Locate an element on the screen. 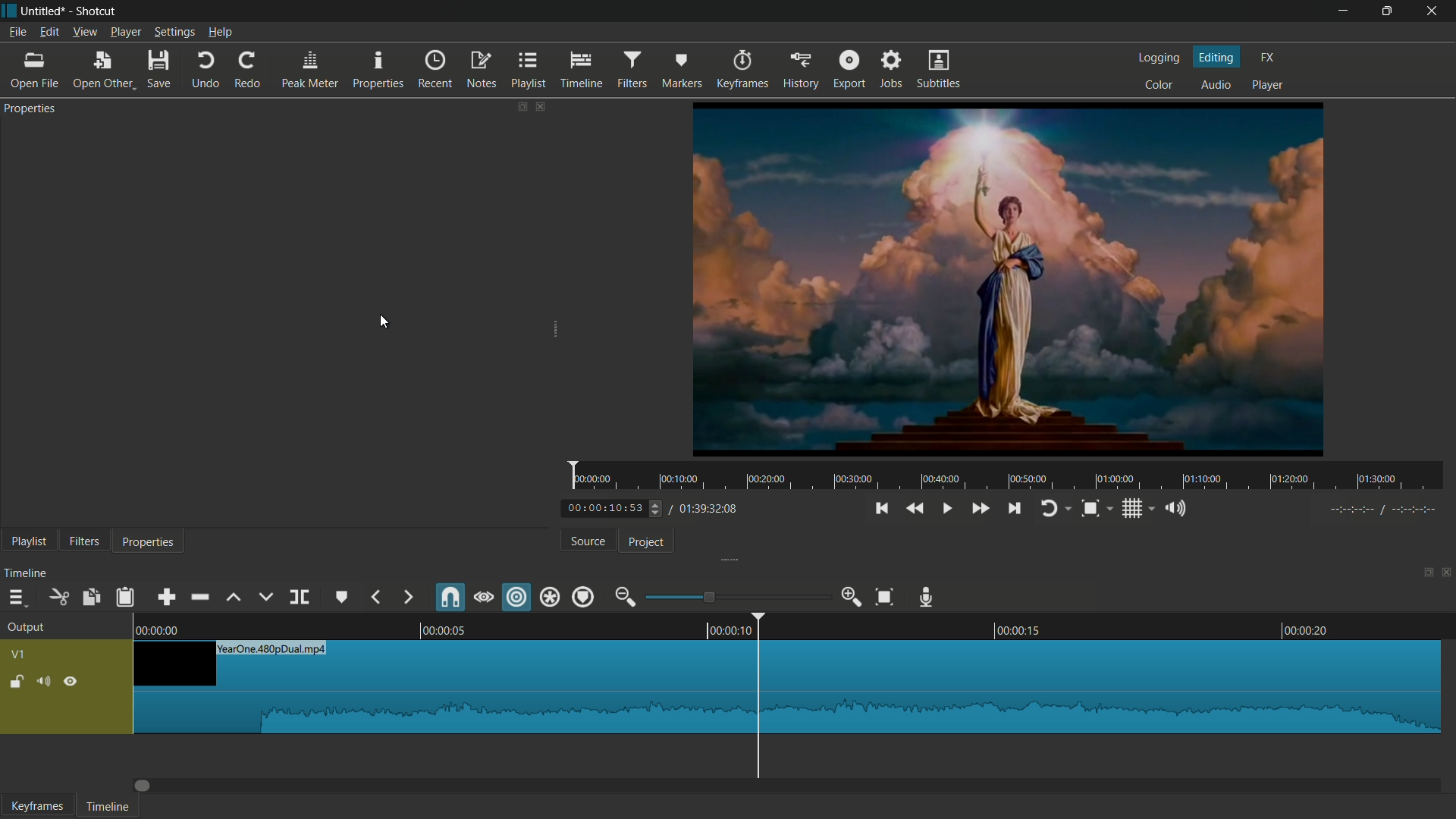 Image resolution: width=1456 pixels, height=819 pixels. ripple all tracks is located at coordinates (549, 598).